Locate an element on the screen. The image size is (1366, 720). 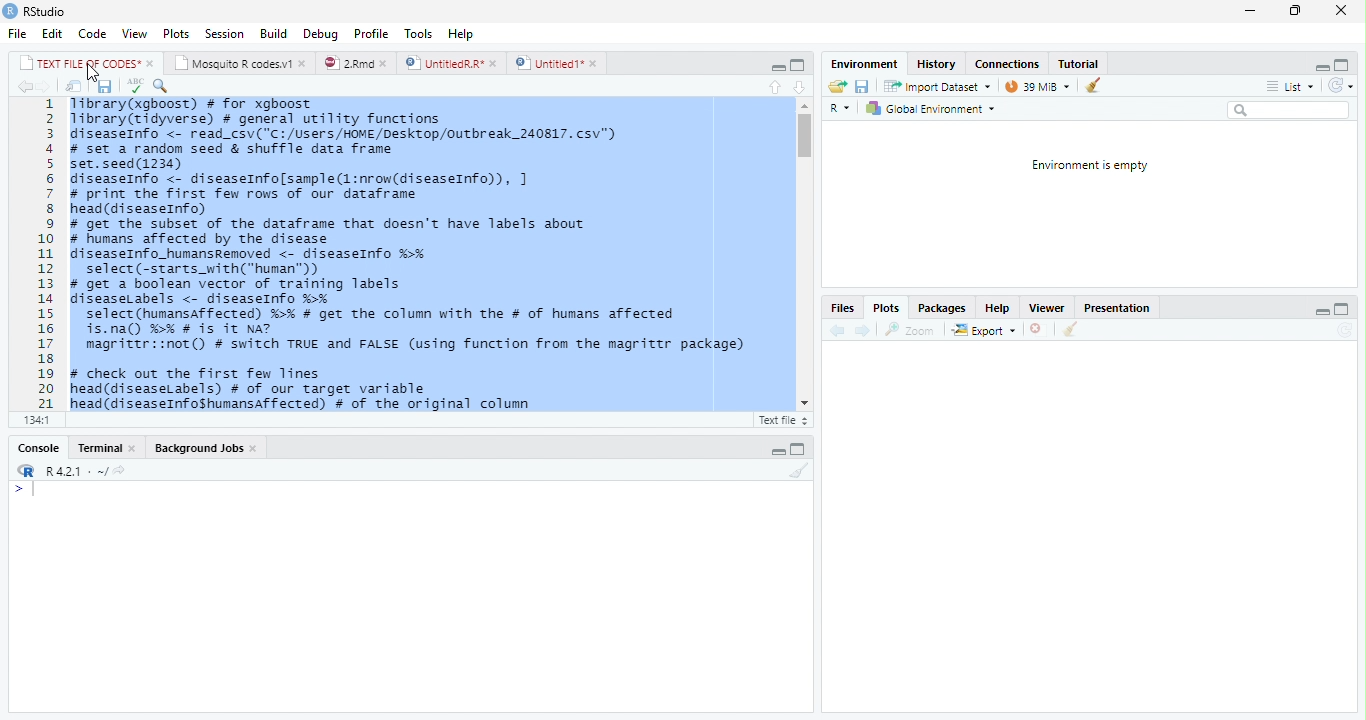
Delete is located at coordinates (1037, 329).